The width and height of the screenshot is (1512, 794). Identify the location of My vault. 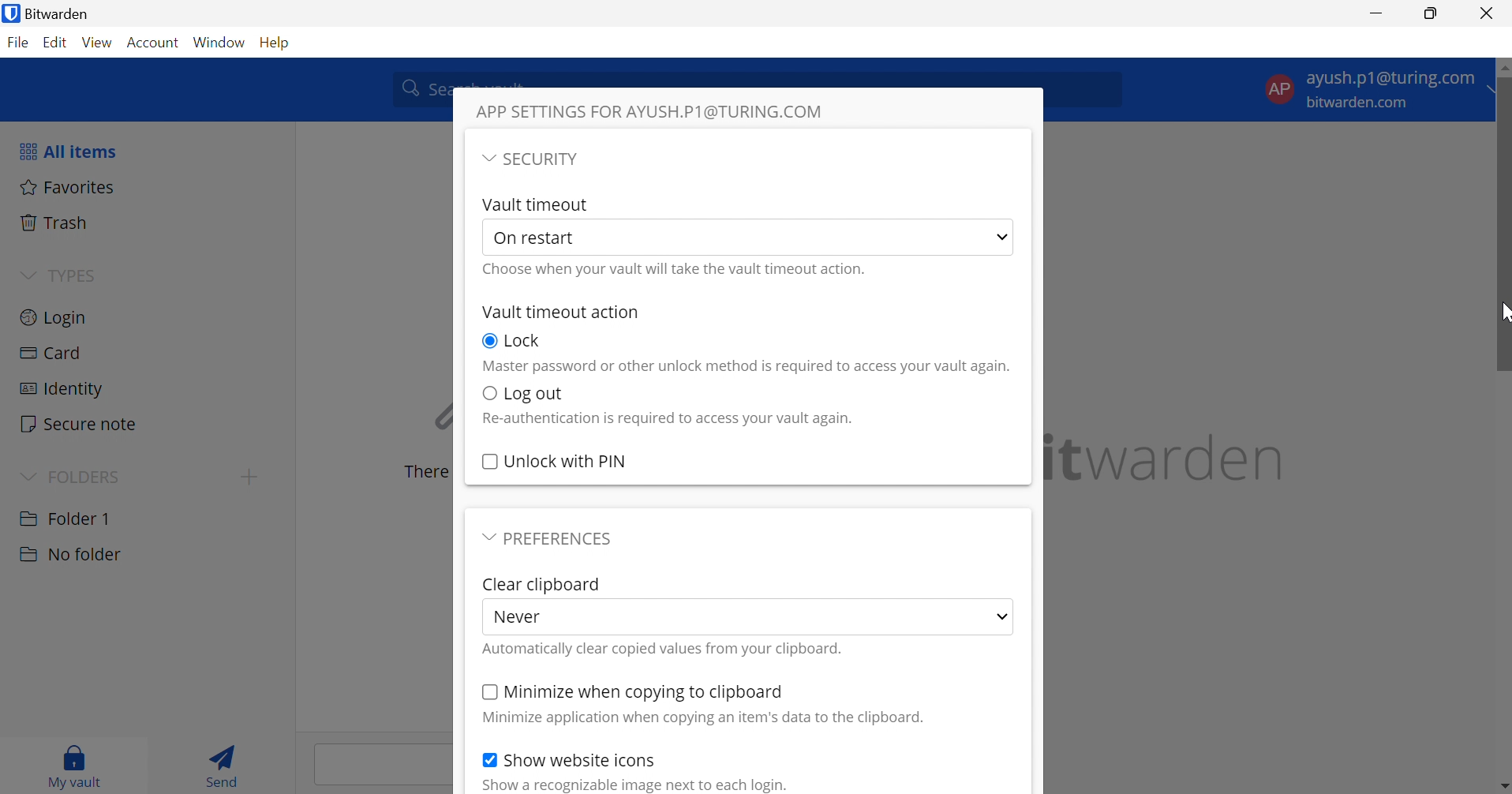
(75, 763).